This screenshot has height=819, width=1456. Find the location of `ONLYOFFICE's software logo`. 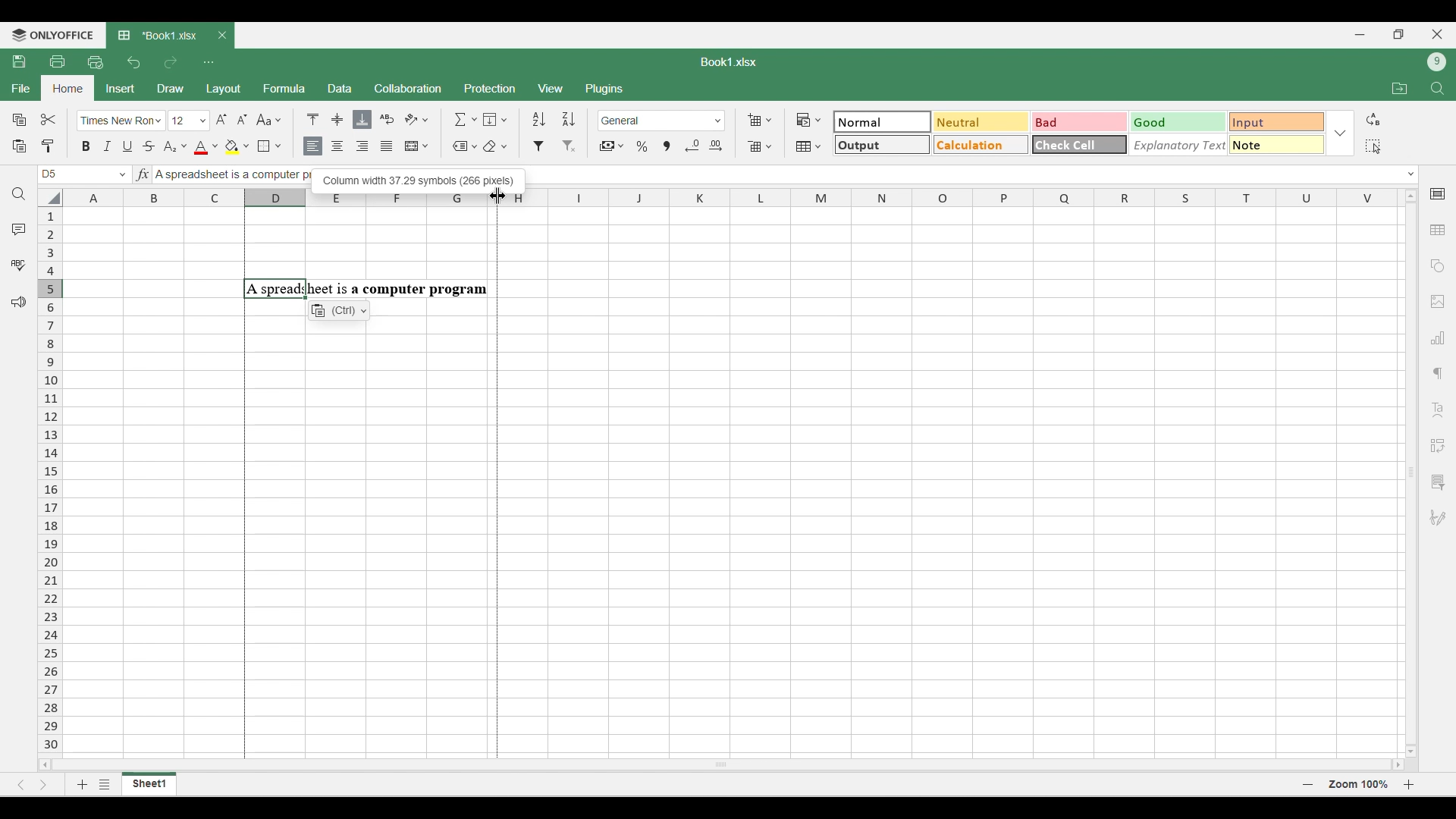

ONLYOFFICE's software logo is located at coordinates (53, 36).